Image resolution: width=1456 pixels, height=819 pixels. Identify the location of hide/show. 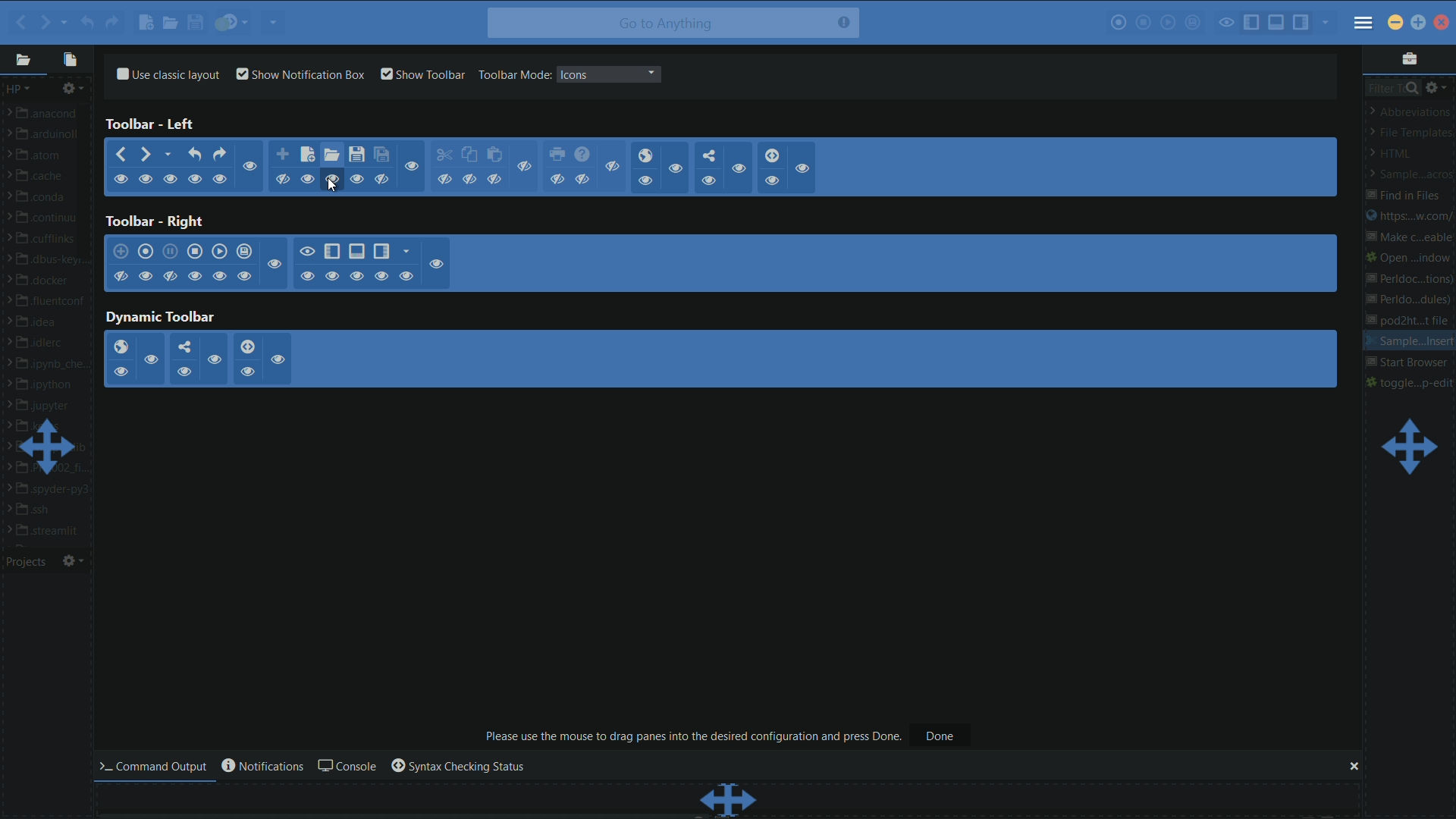
(381, 275).